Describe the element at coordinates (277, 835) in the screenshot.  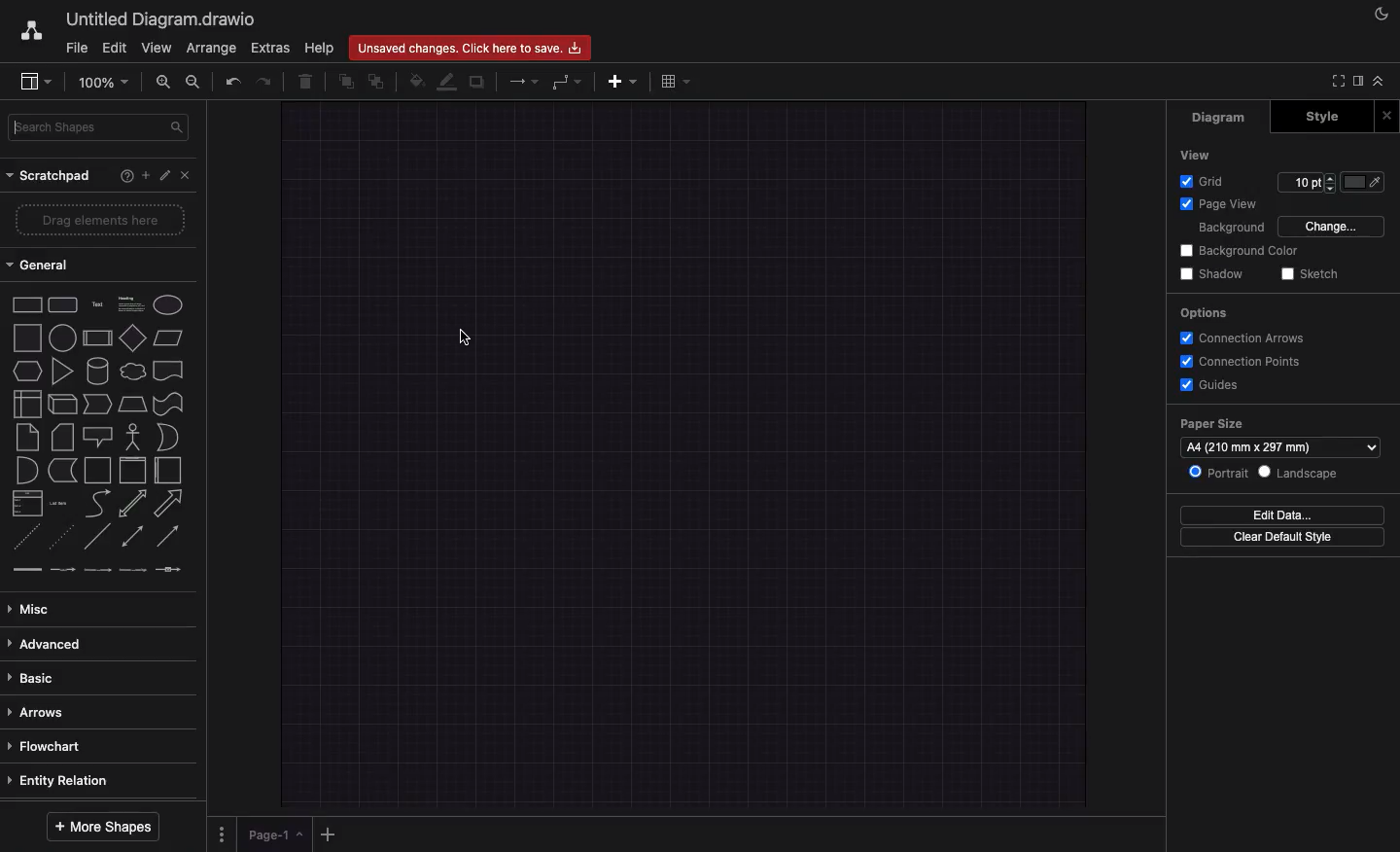
I see `Page 1` at that location.